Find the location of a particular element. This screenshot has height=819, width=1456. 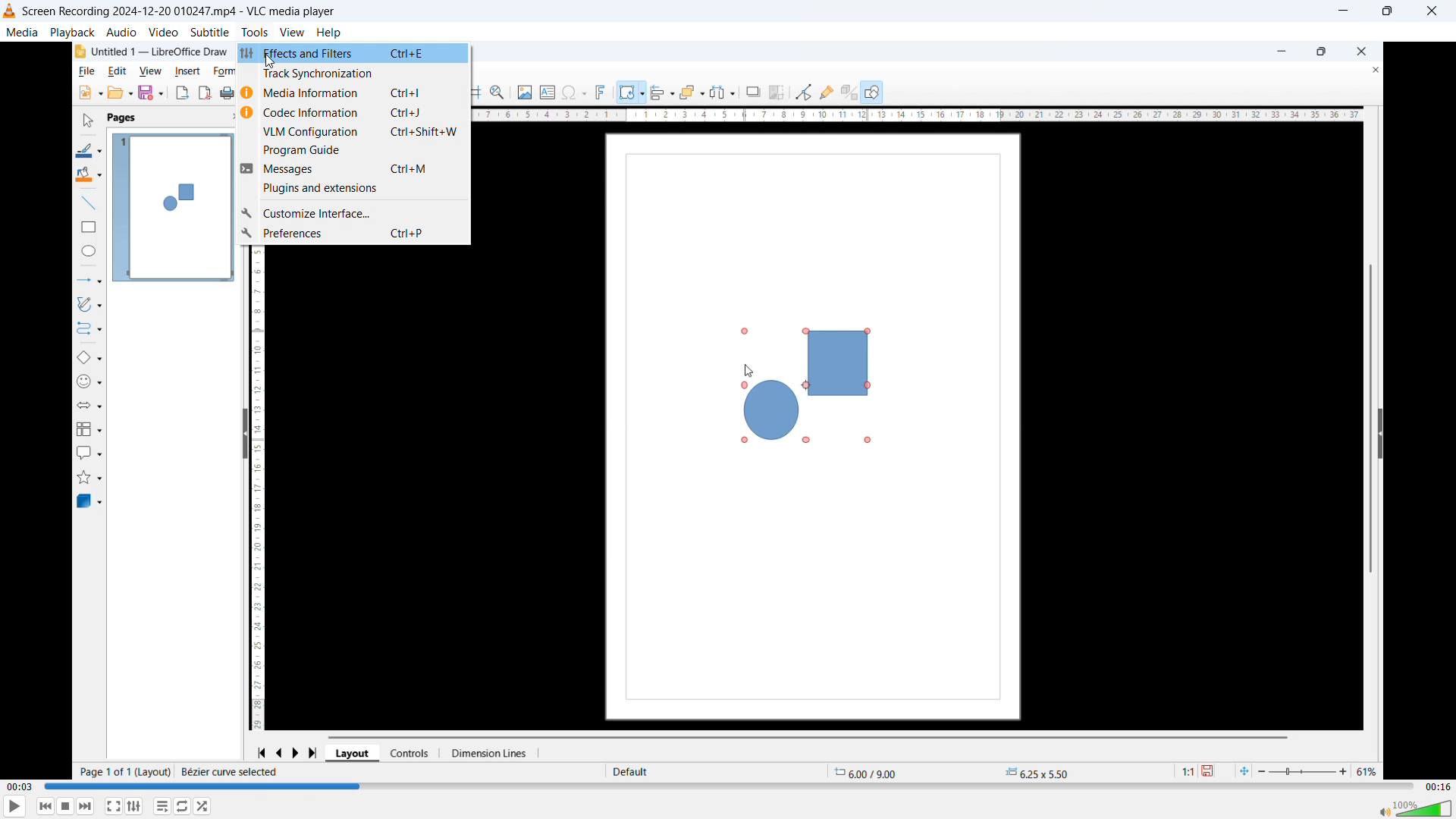

Preferences  is located at coordinates (353, 234).